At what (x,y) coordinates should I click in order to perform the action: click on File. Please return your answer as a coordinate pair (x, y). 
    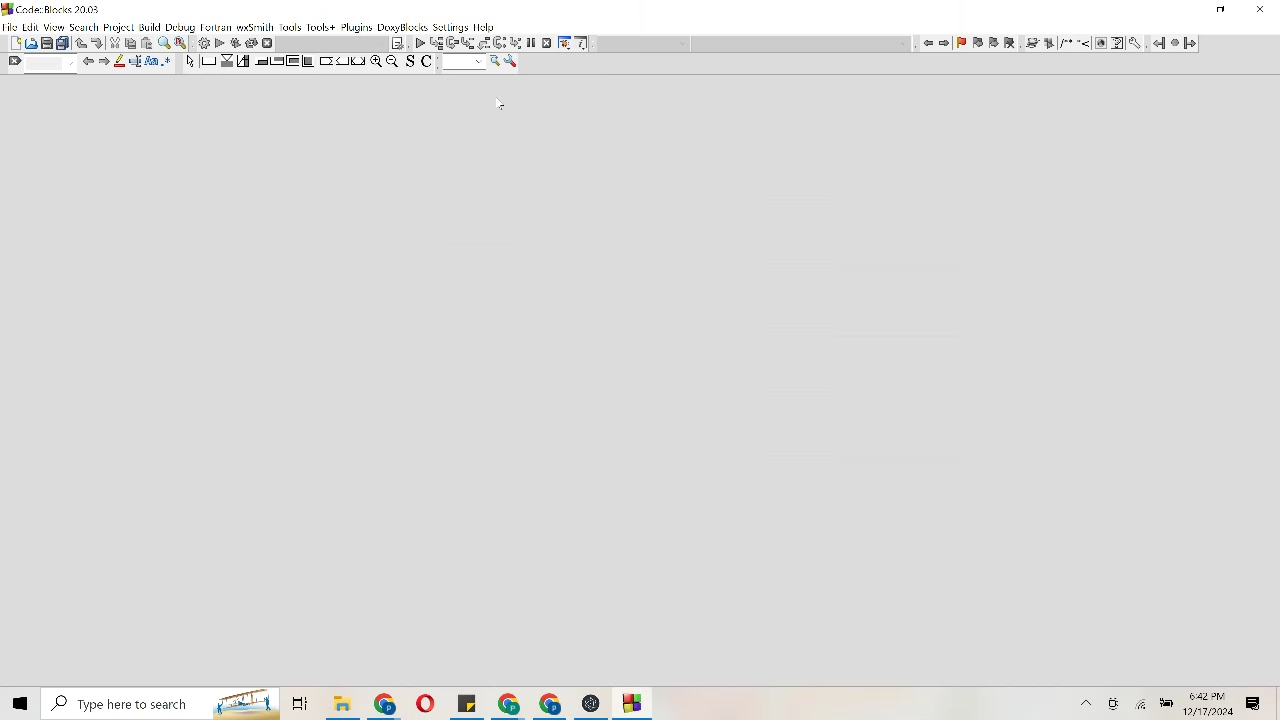
    Looking at the image, I should click on (424, 703).